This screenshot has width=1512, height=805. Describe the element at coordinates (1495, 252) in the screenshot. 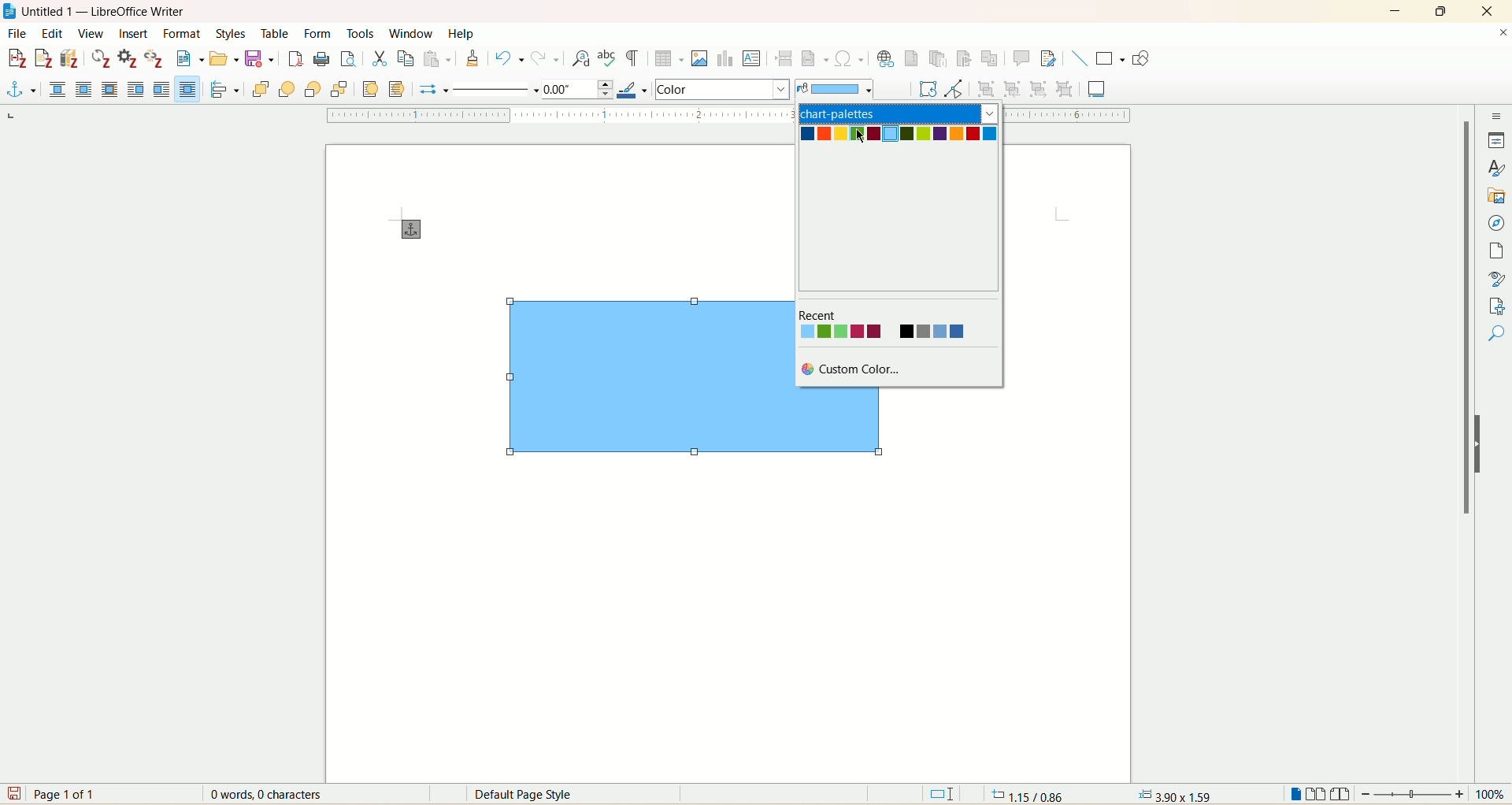

I see `page` at that location.